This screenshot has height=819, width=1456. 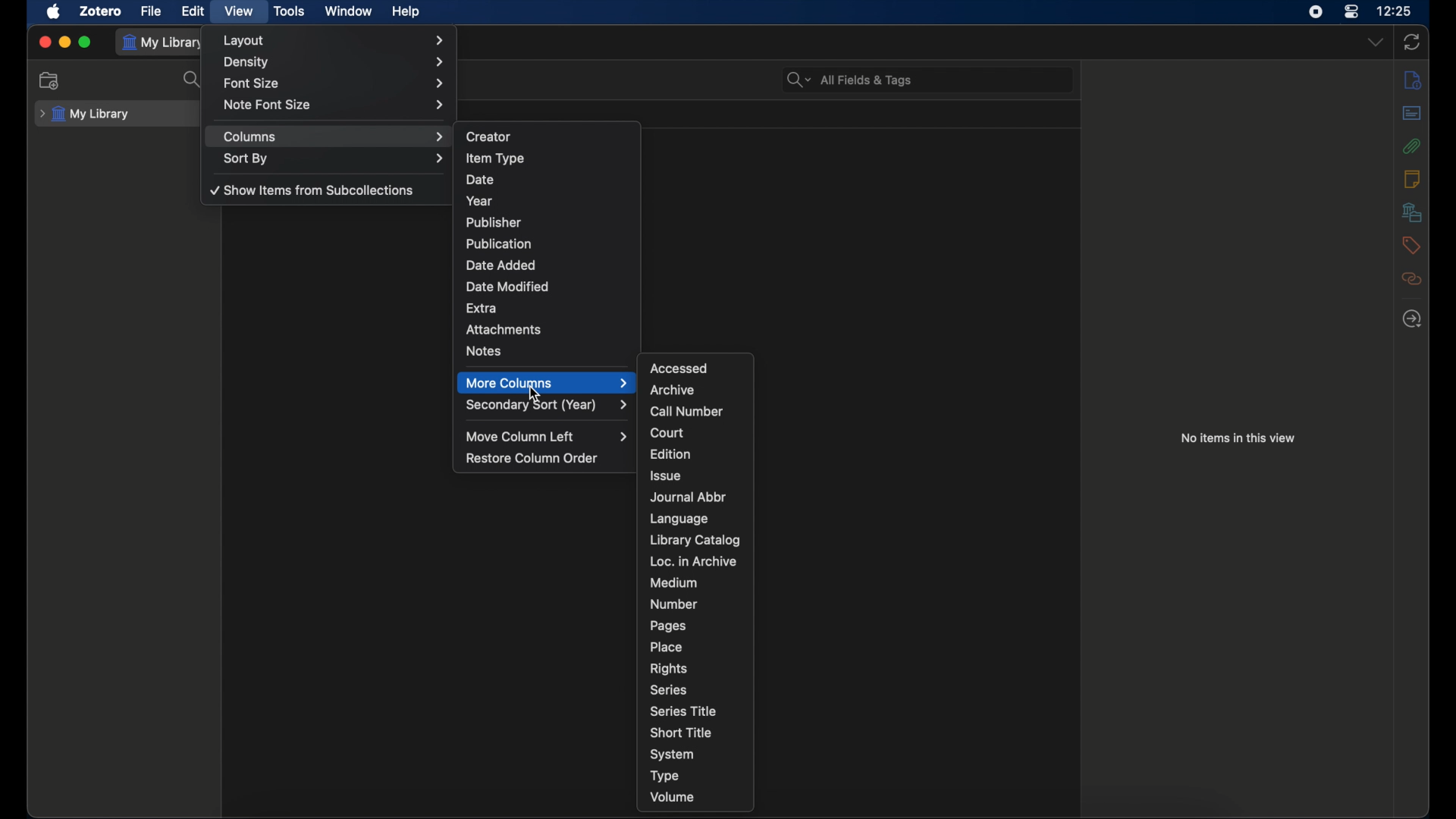 What do you see at coordinates (491, 136) in the screenshot?
I see `creator` at bounding box center [491, 136].